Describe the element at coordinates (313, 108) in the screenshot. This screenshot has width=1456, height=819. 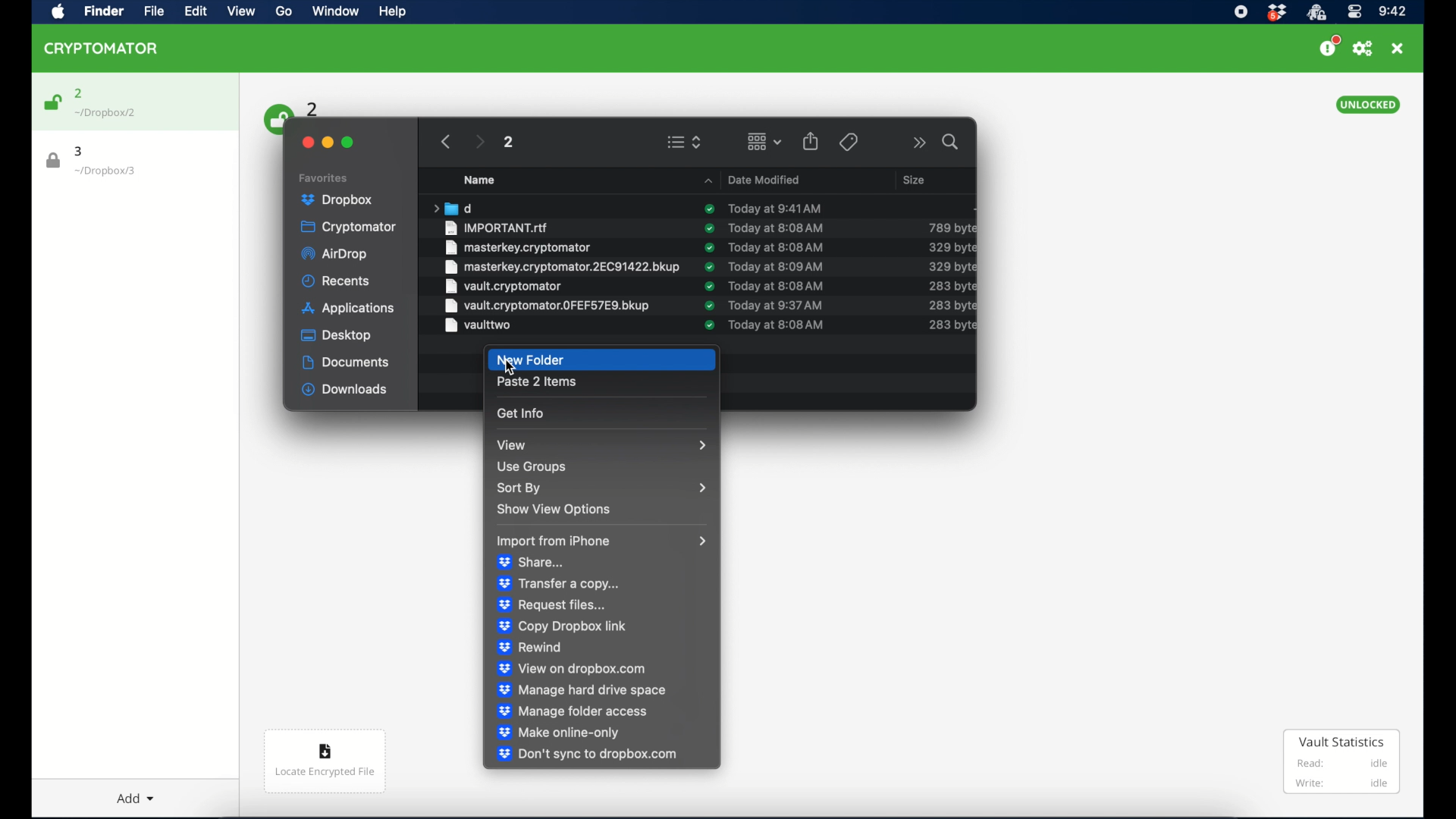
I see `2` at that location.